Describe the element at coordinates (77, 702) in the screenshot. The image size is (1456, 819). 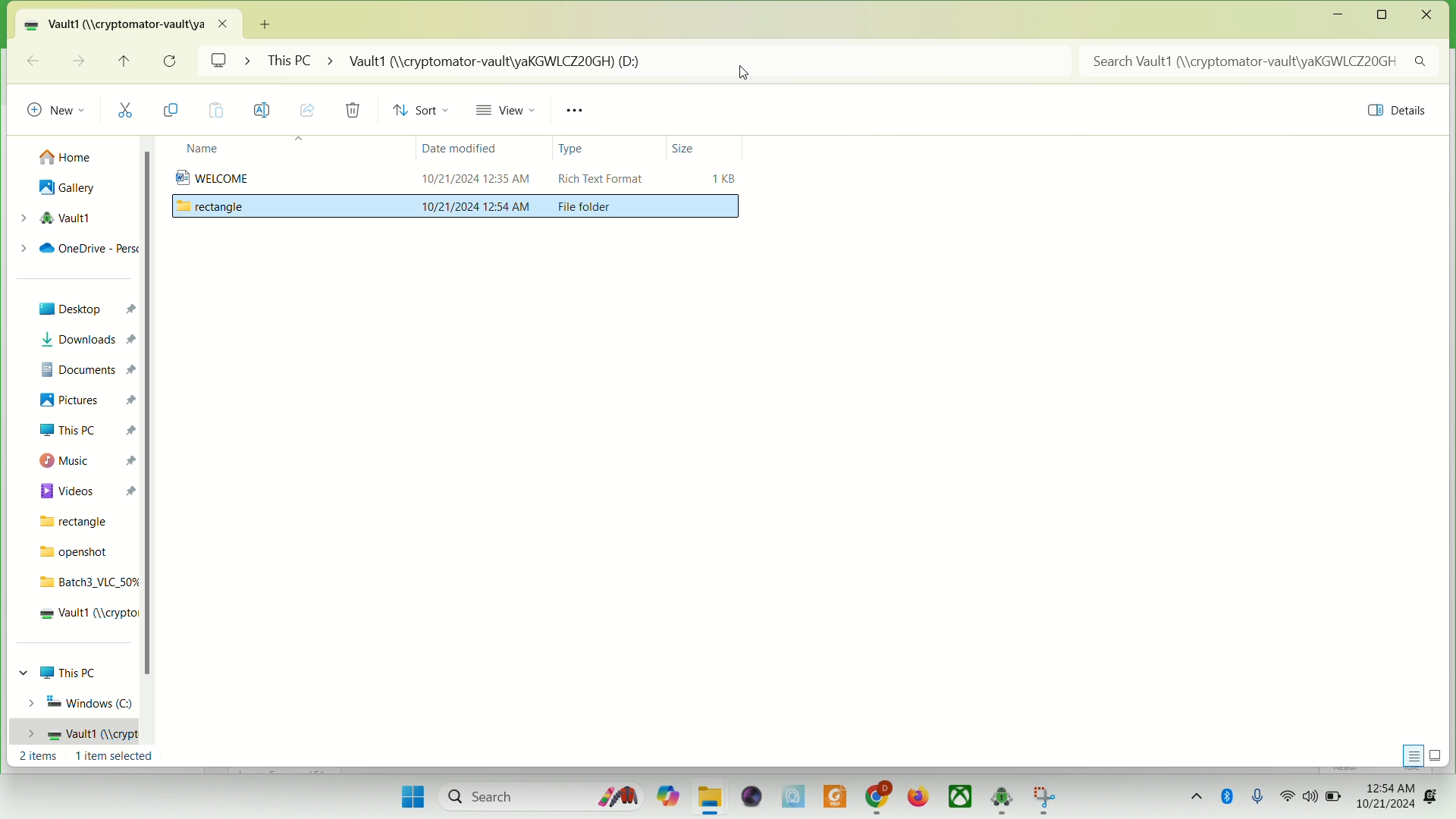
I see `Windows (C)` at that location.